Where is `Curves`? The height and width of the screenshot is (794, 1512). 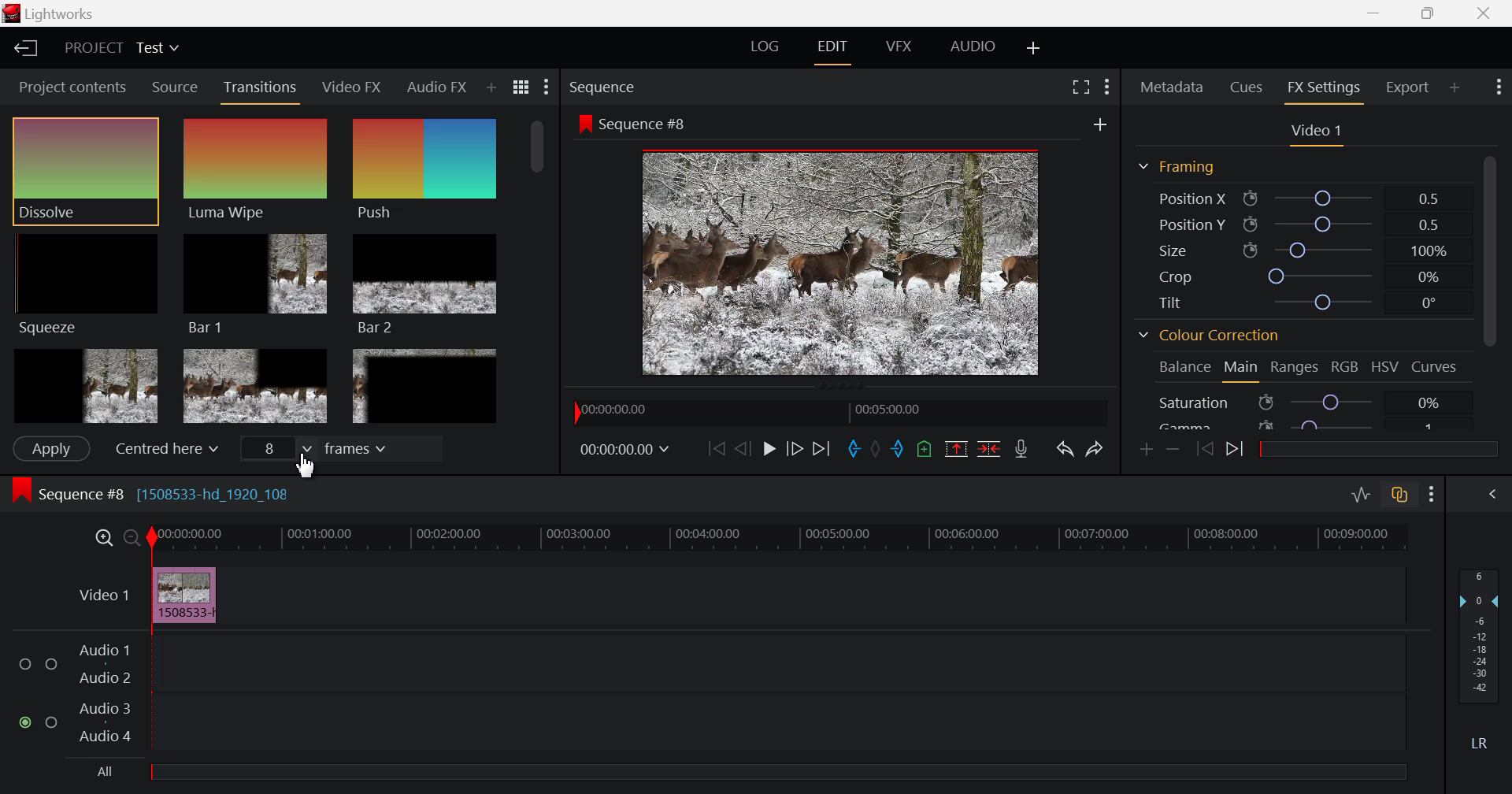
Curves is located at coordinates (1436, 365).